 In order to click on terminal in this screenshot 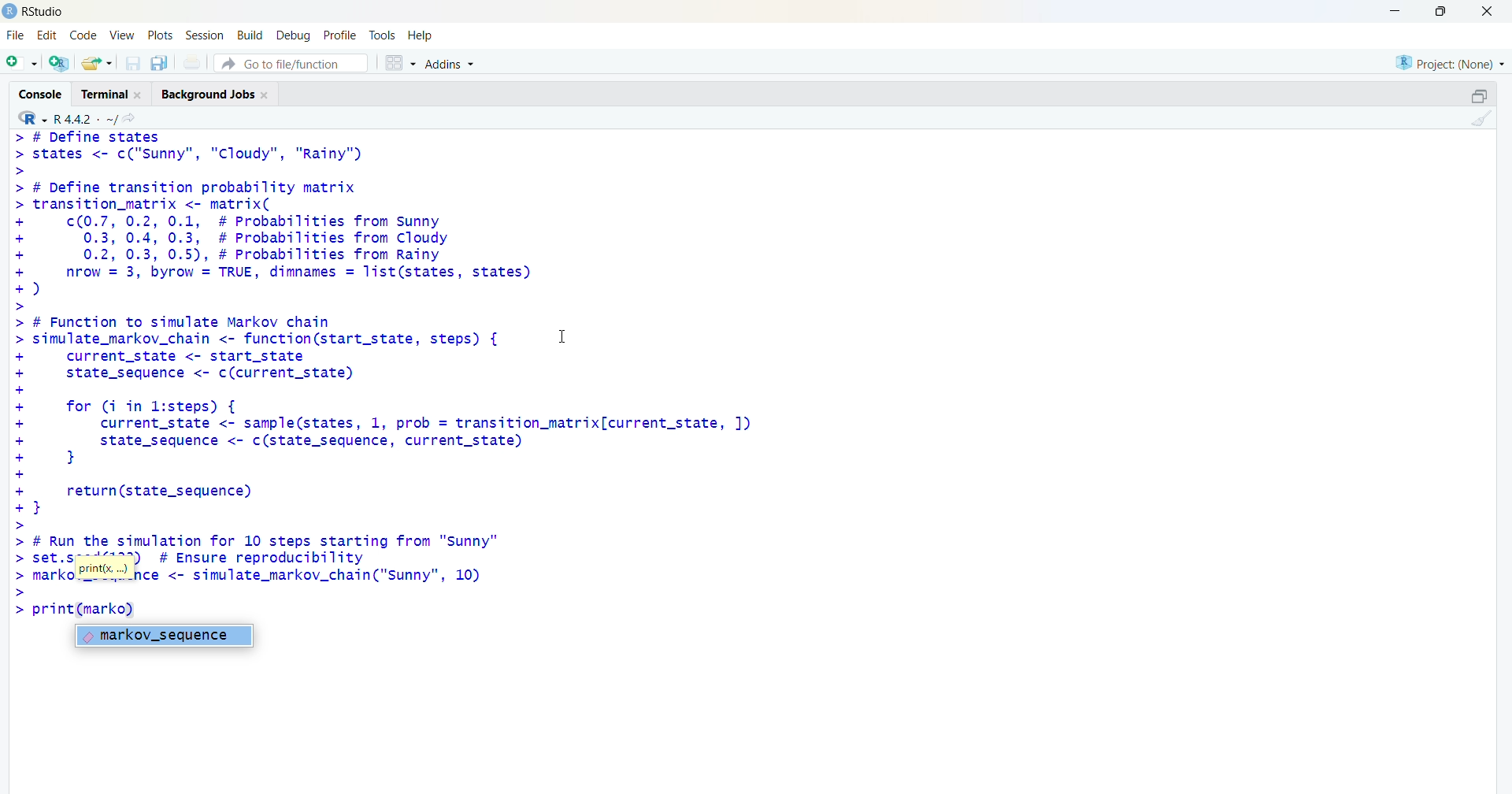, I will do `click(113, 94)`.